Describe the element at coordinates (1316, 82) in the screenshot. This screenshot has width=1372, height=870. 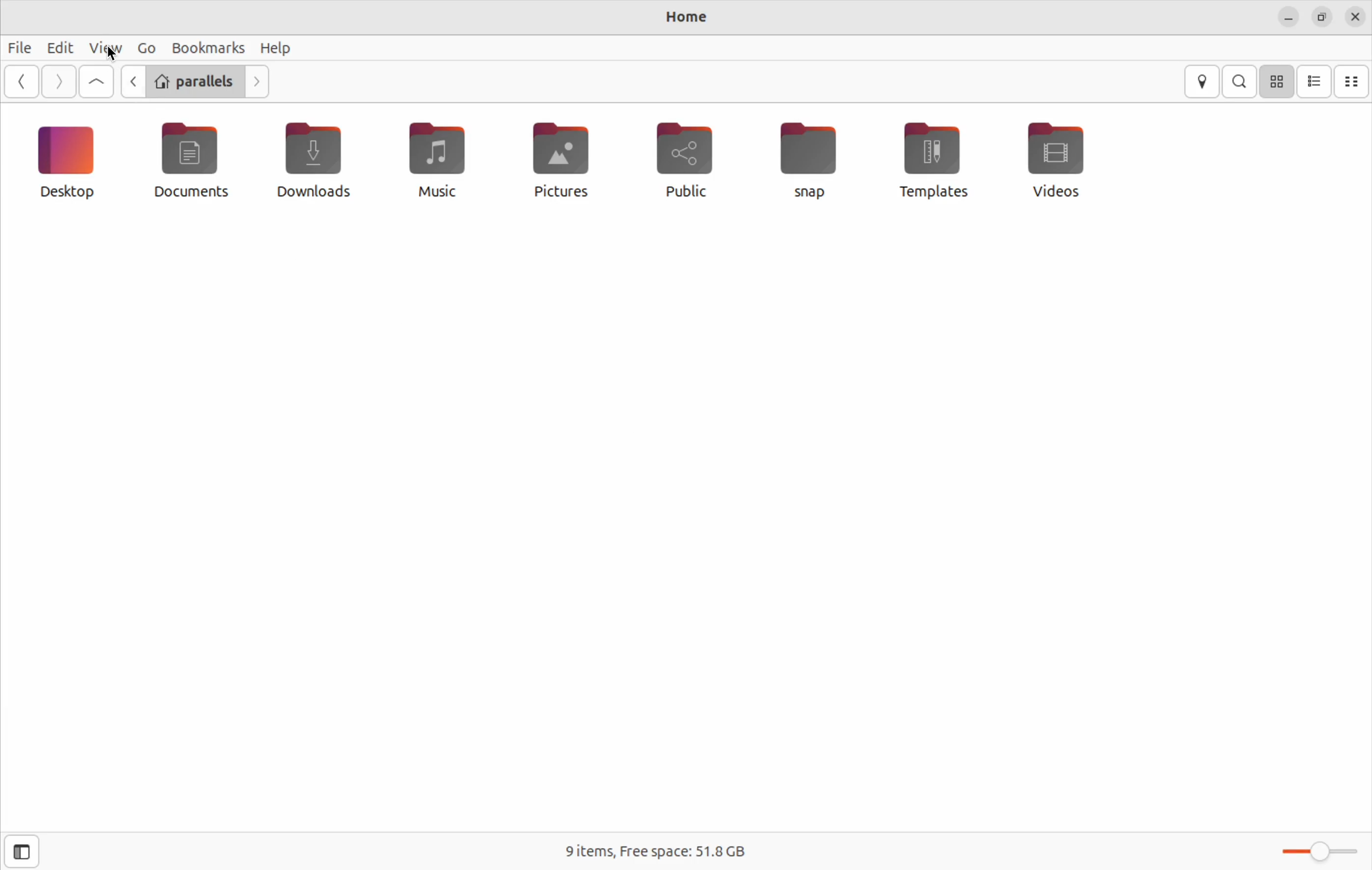
I see `list view` at that location.